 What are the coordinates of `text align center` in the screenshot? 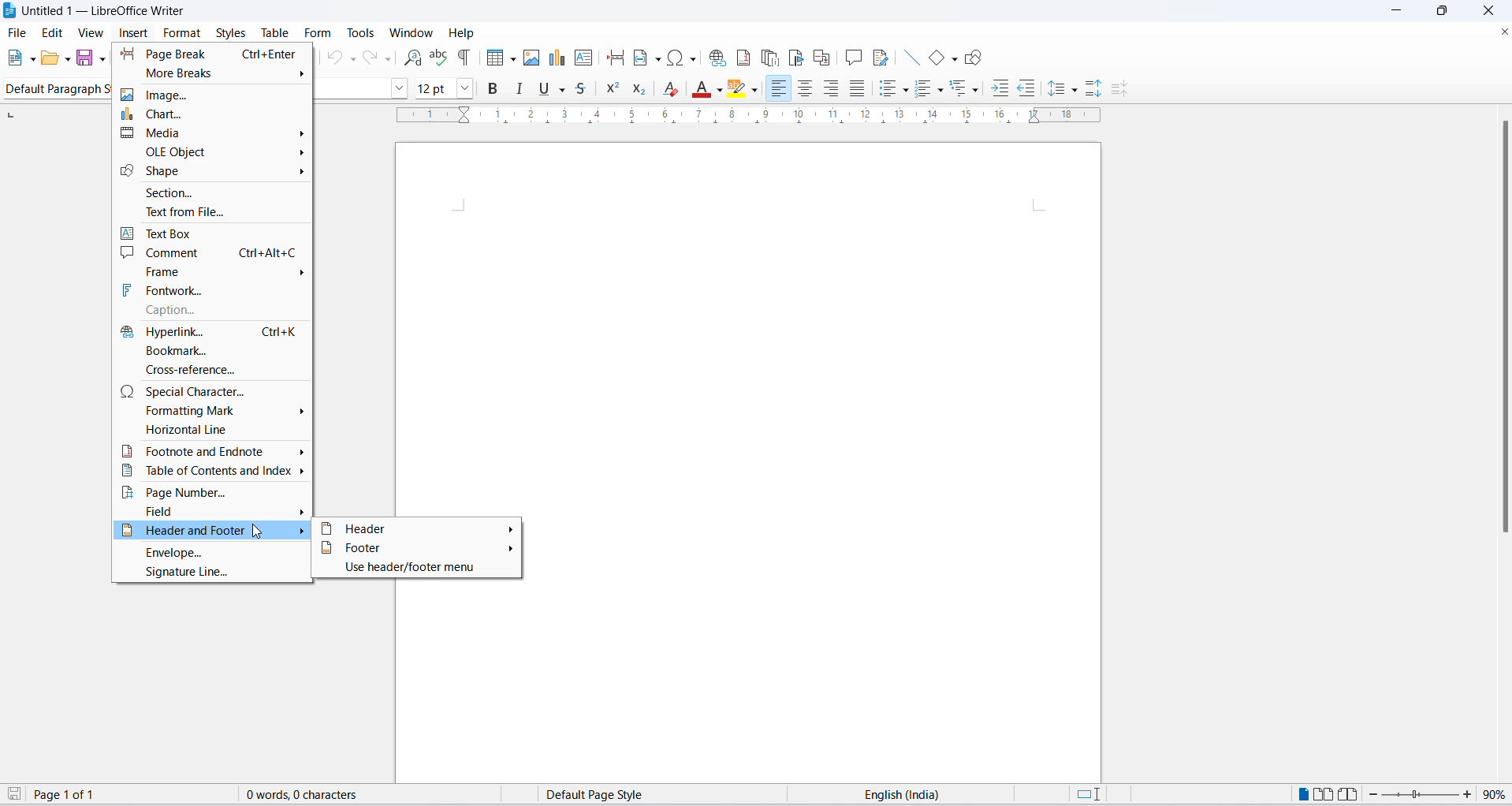 It's located at (832, 88).